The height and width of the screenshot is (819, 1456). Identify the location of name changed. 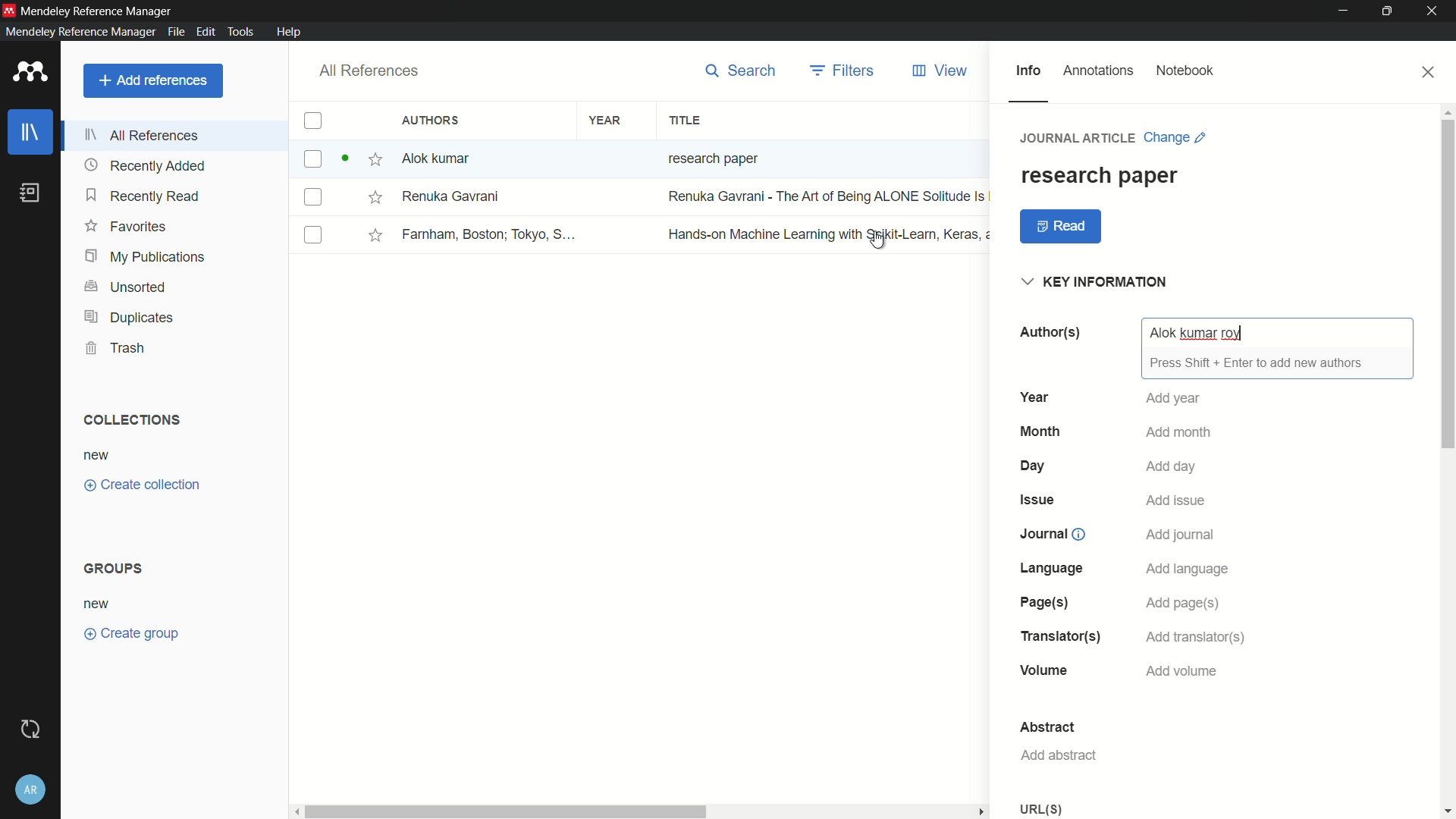
(1196, 334).